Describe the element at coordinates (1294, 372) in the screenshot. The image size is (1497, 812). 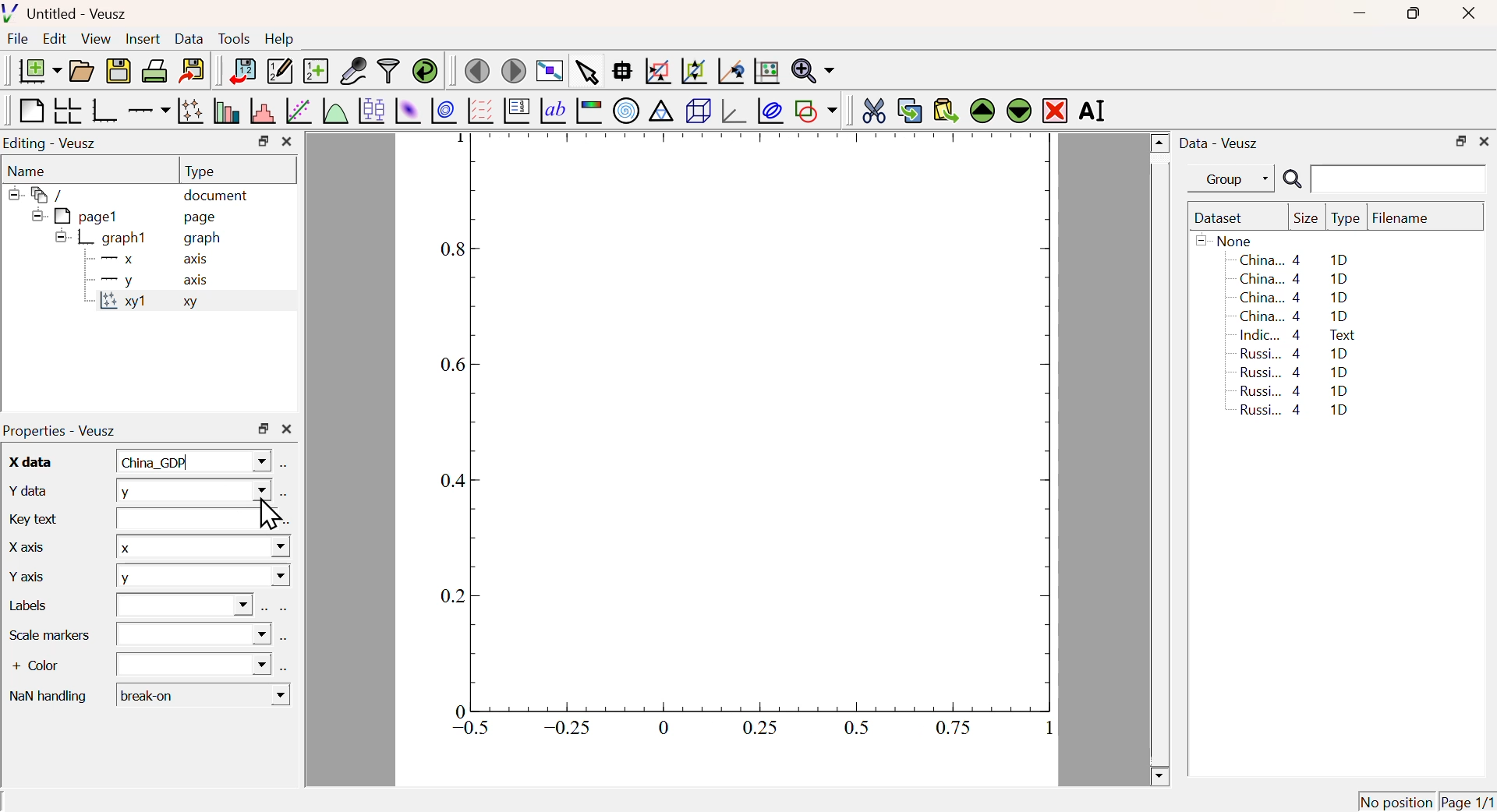
I see `Russi... 4 1D` at that location.